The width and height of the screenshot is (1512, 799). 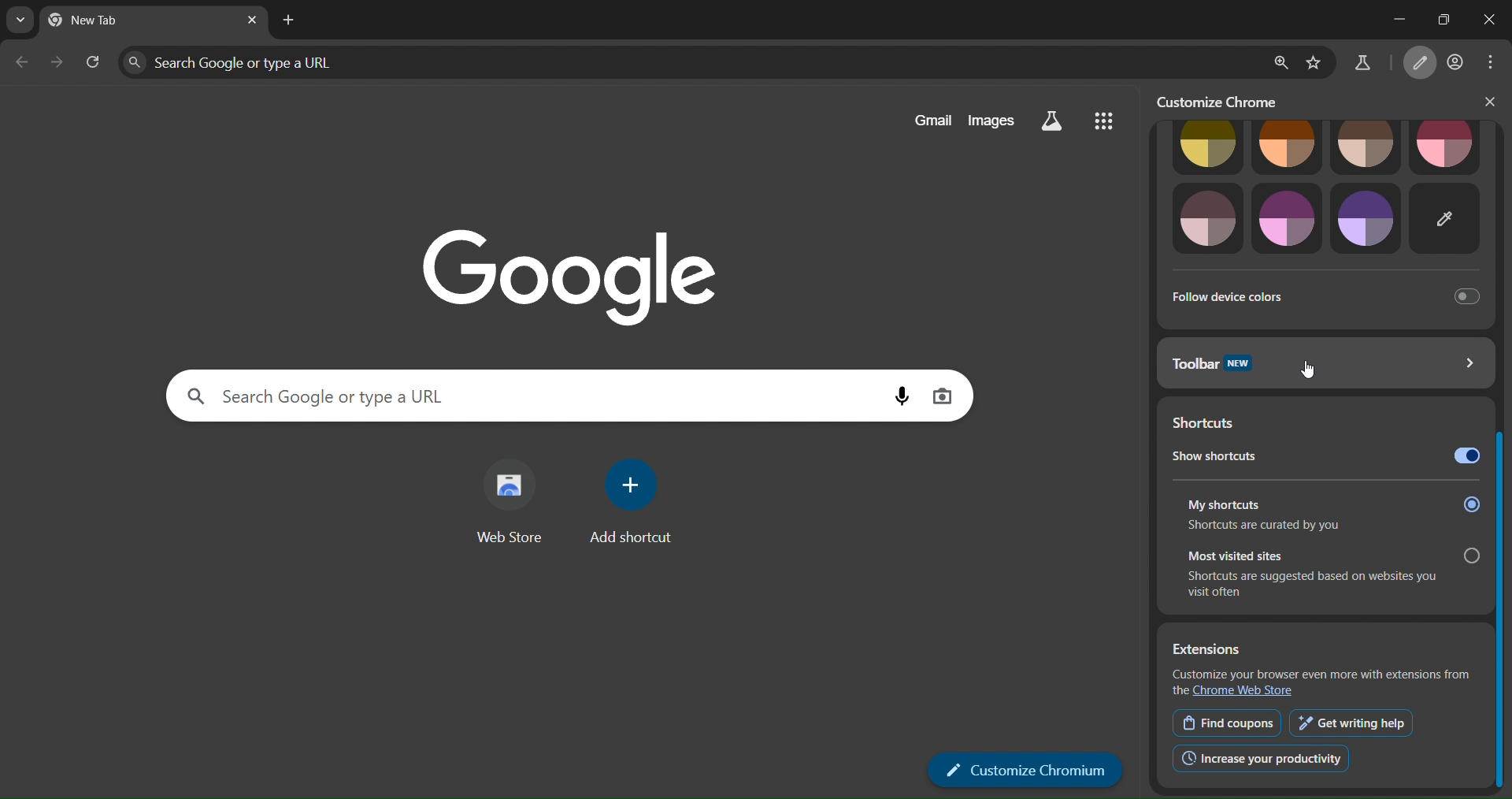 I want to click on show shortcuts, so click(x=1320, y=455).